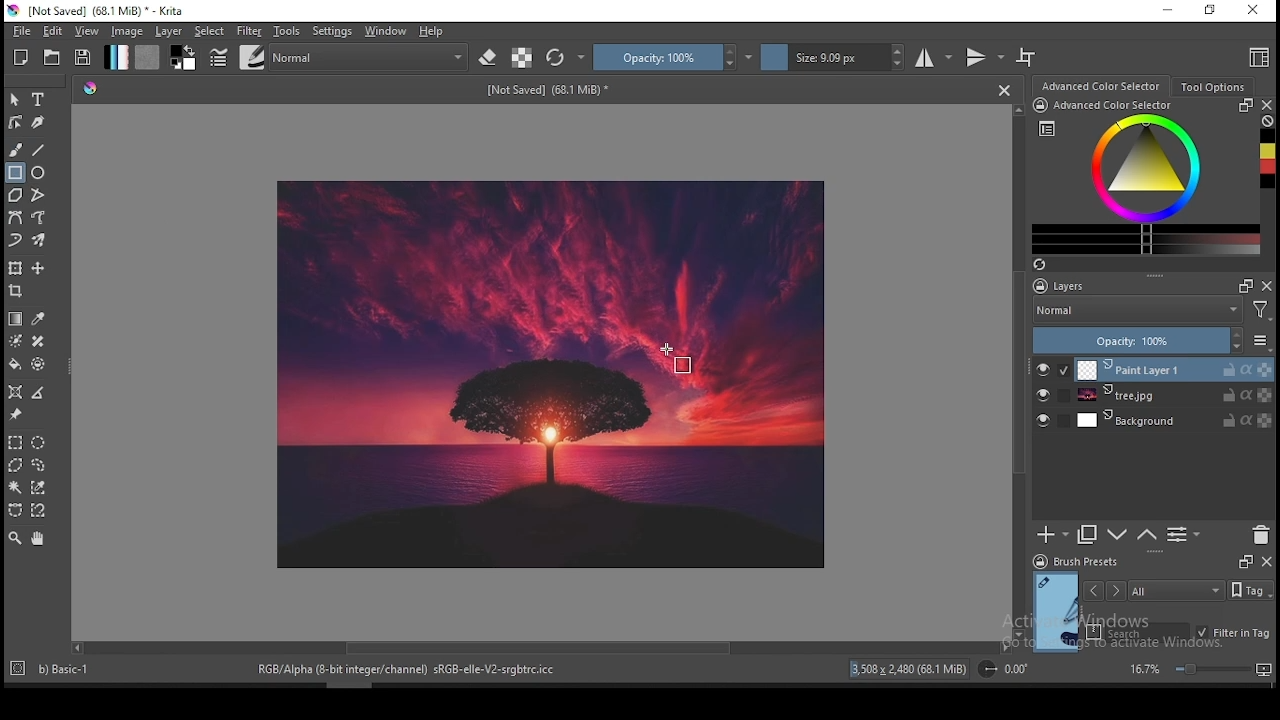 Image resolution: width=1280 pixels, height=720 pixels. Describe the element at coordinates (14, 442) in the screenshot. I see `polygon selection tool` at that location.